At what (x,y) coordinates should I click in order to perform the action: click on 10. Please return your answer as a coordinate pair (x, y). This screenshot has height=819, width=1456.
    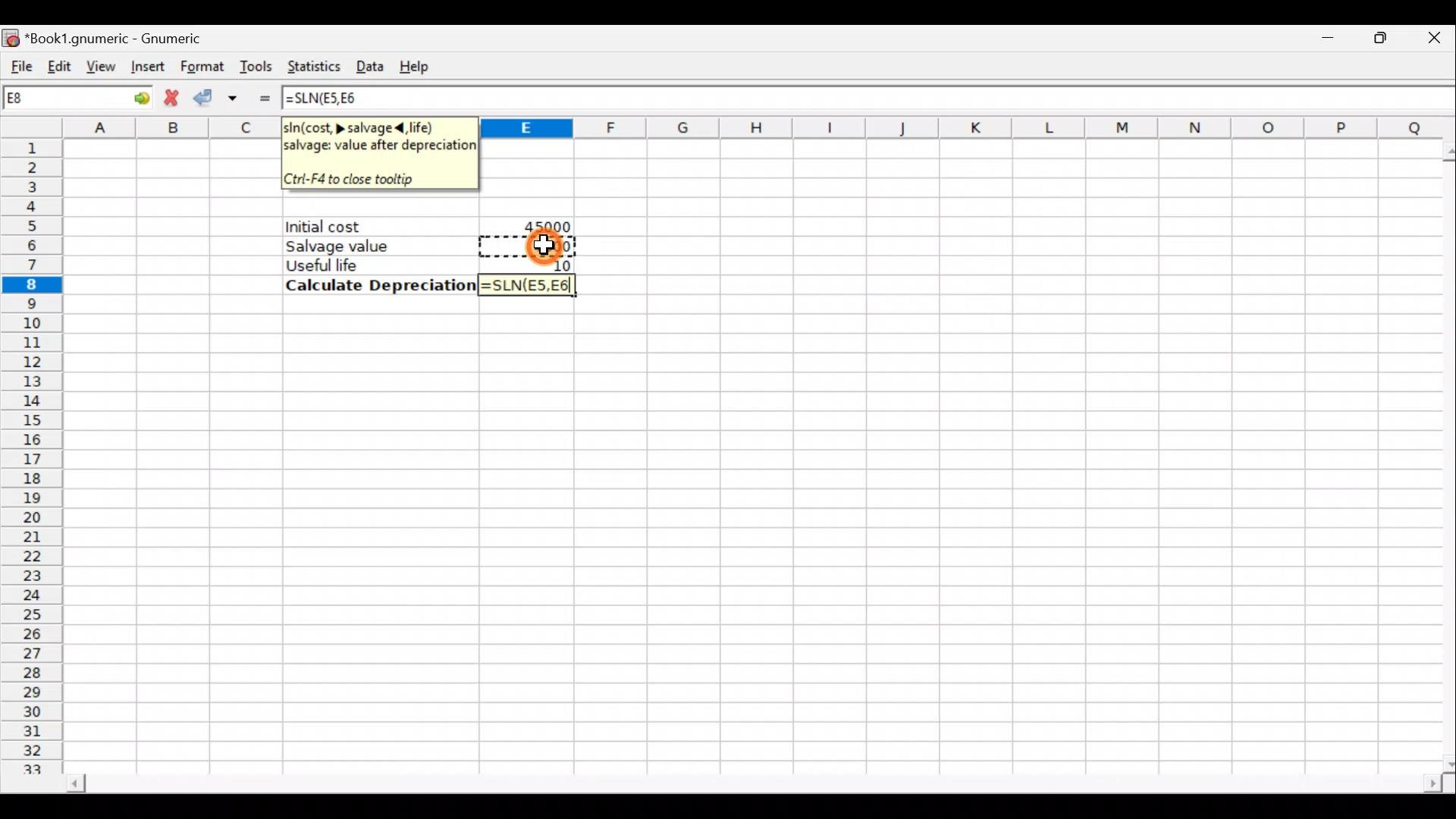
    Looking at the image, I should click on (557, 264).